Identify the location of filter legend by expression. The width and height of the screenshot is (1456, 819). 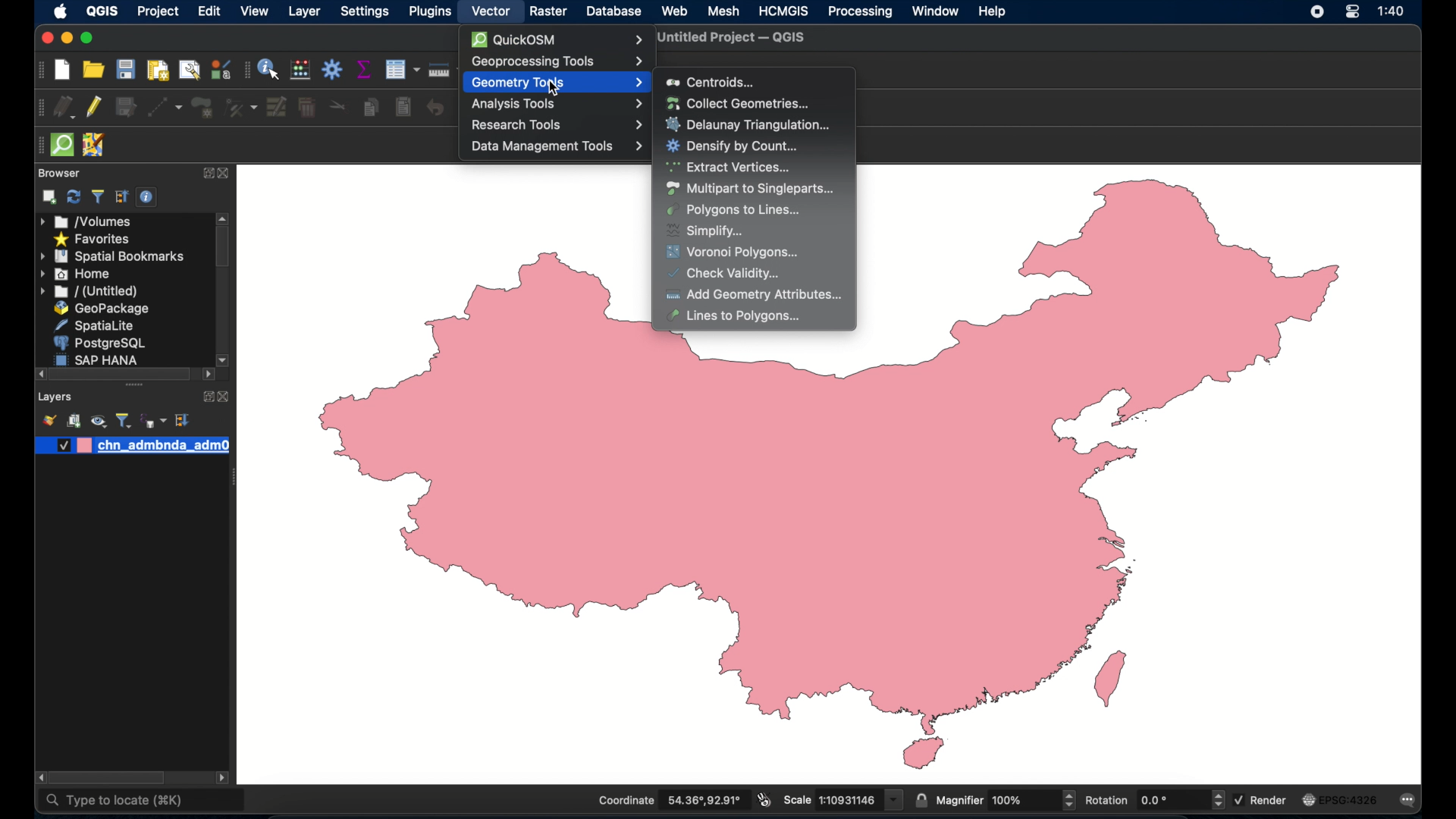
(152, 421).